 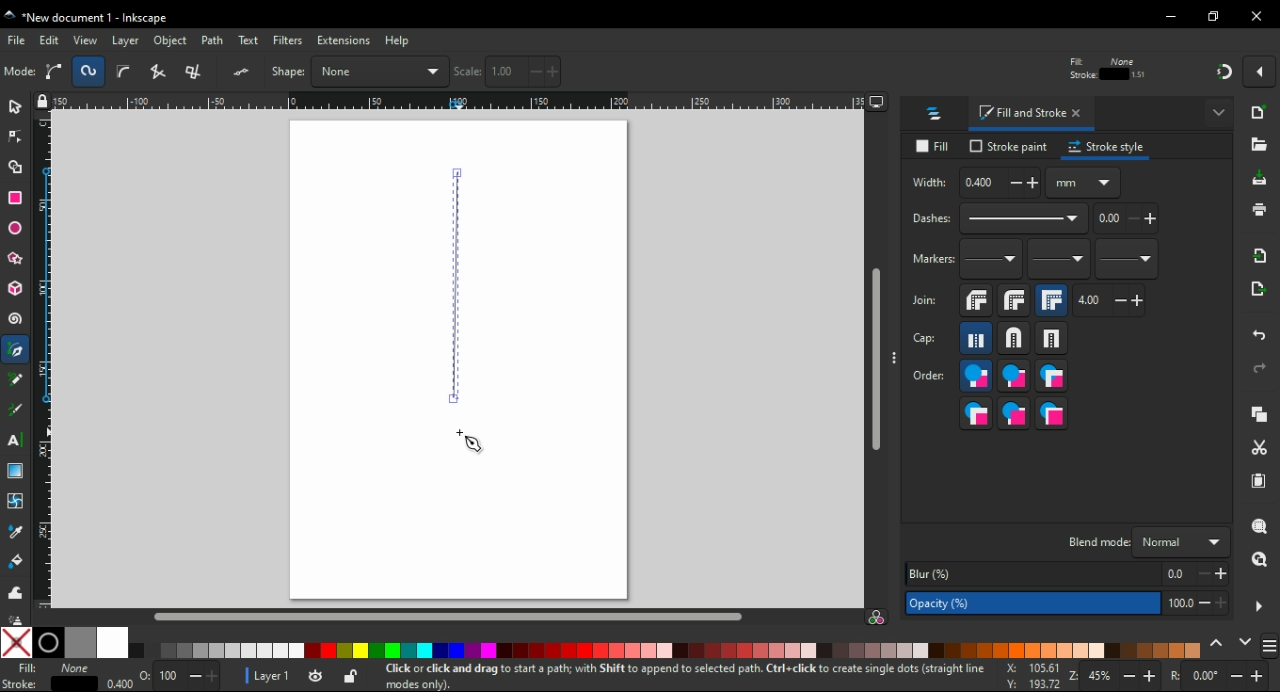 I want to click on previous, so click(x=1219, y=644).